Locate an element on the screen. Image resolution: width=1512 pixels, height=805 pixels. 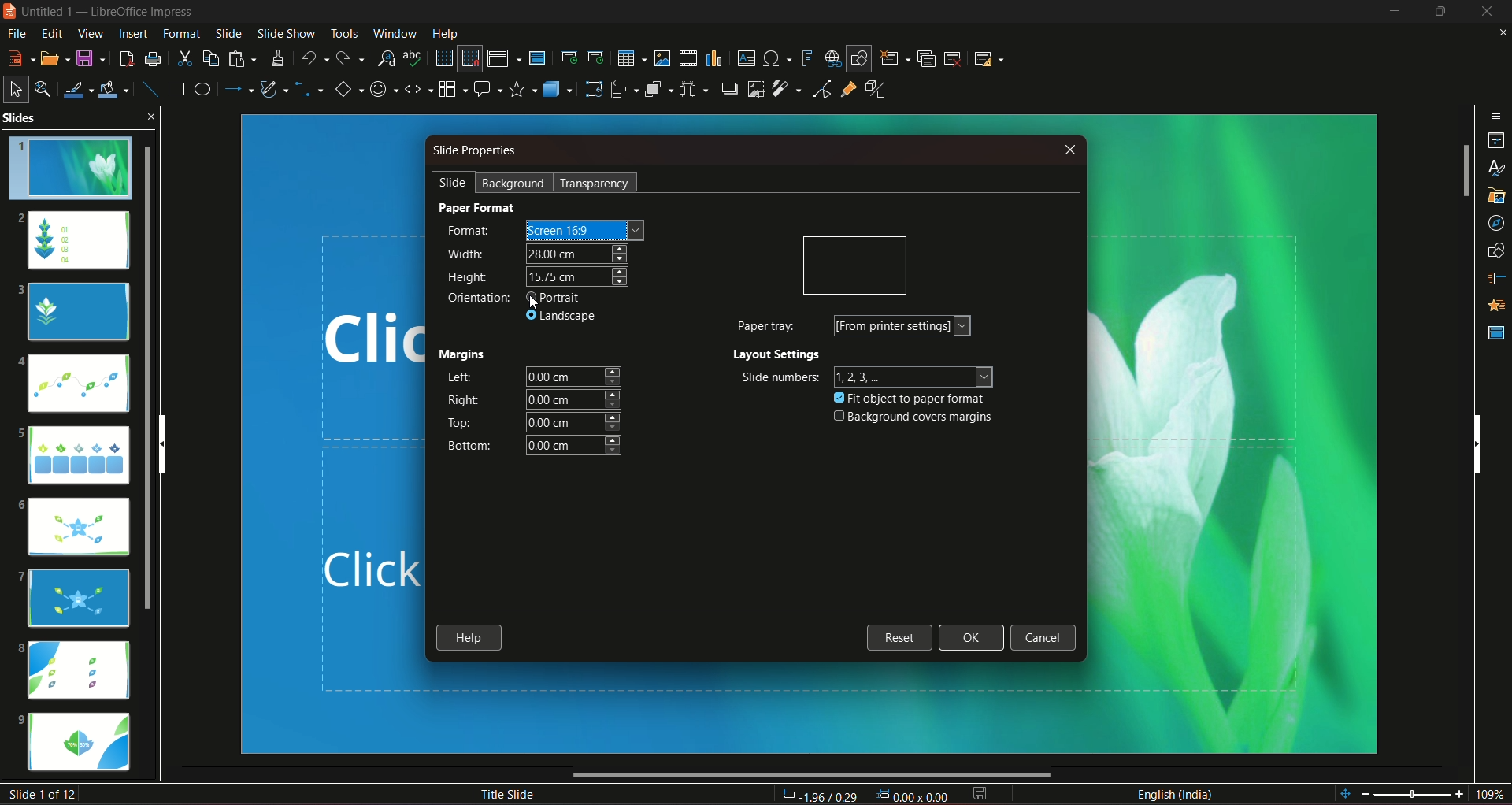
clone formatting is located at coordinates (280, 58).